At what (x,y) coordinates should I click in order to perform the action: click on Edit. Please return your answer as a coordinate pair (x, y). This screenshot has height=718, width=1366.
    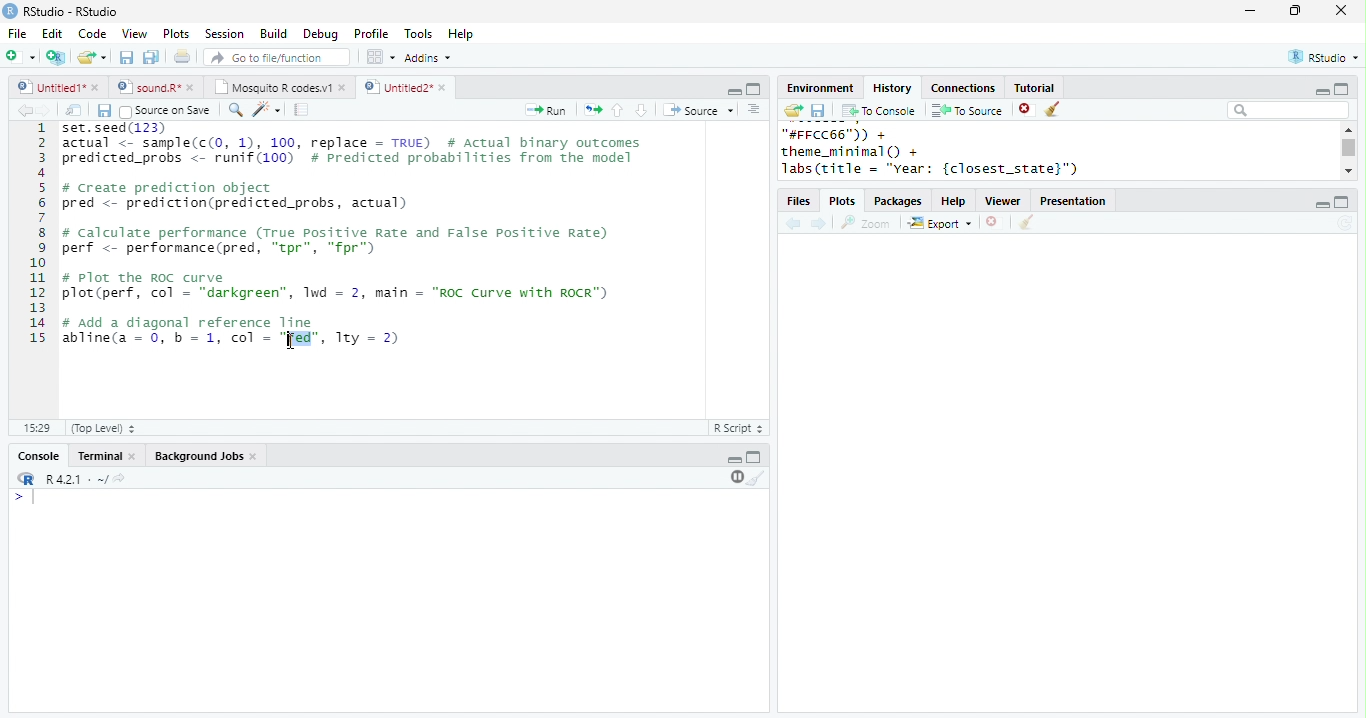
    Looking at the image, I should click on (52, 34).